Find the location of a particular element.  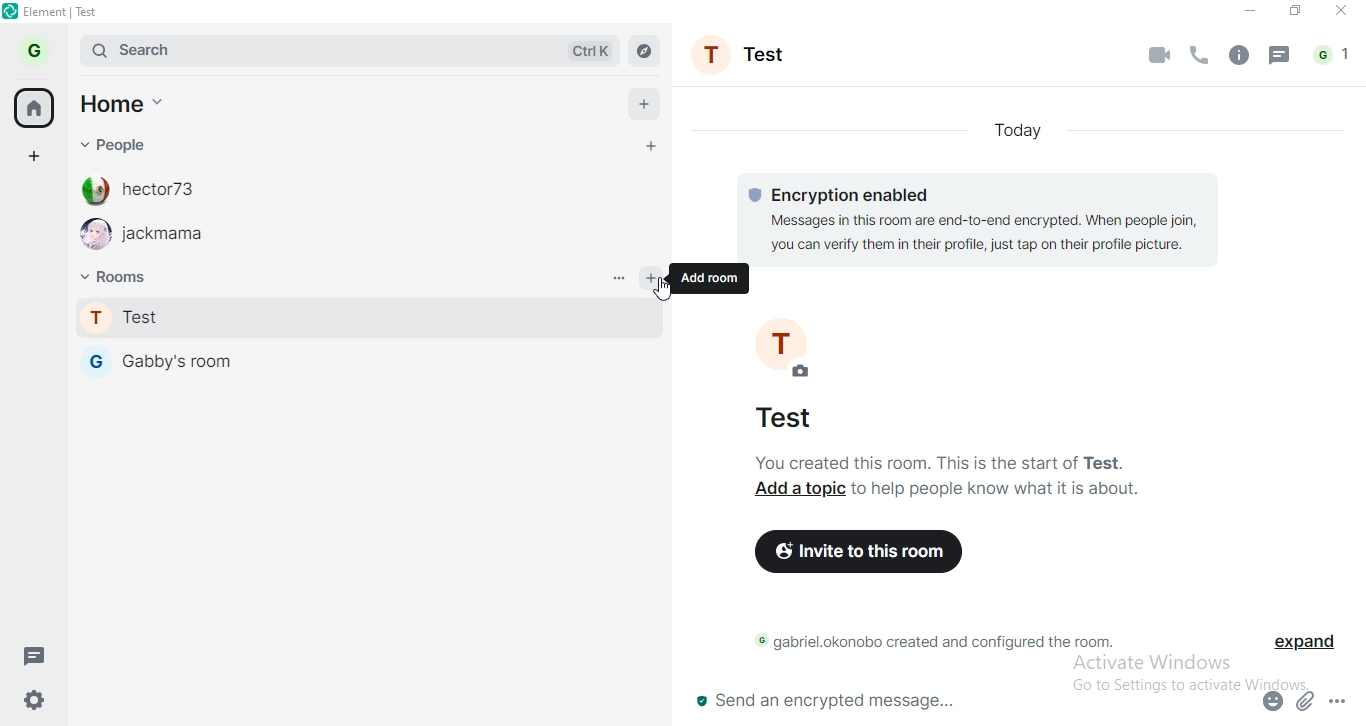

profie photo is located at coordinates (781, 349).